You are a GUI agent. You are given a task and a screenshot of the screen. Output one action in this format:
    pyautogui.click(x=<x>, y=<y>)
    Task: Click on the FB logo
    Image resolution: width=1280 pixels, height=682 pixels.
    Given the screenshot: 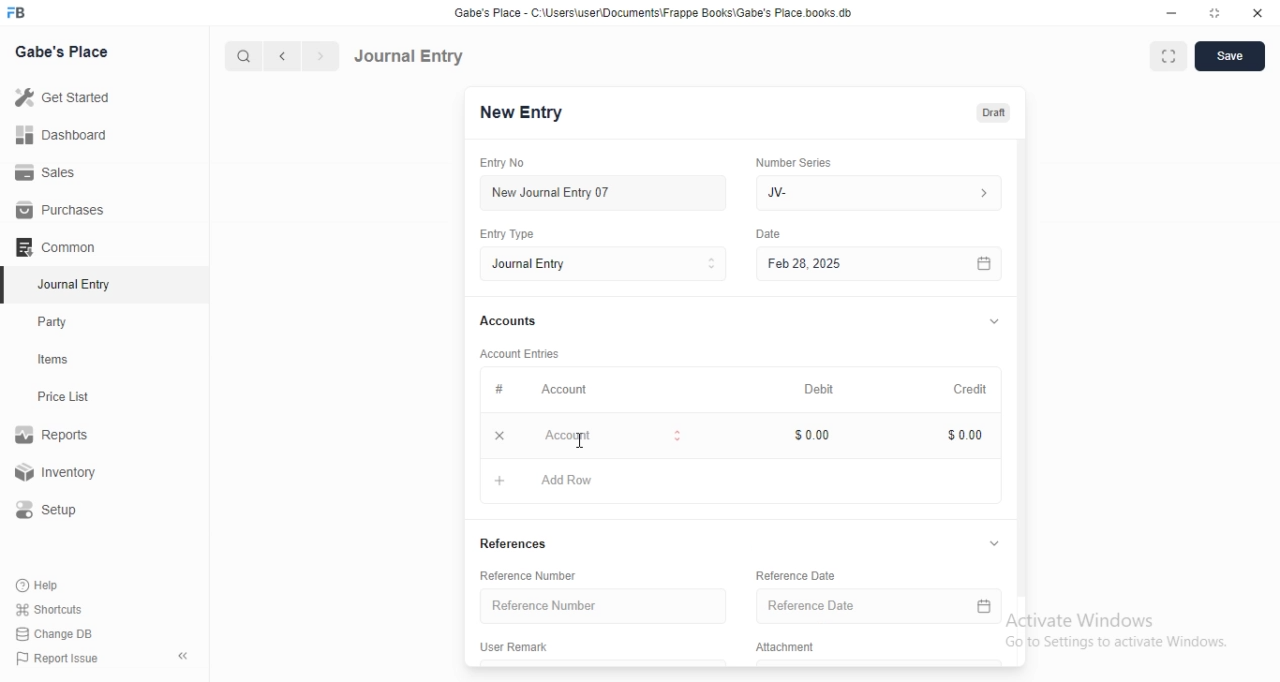 What is the action you would take?
    pyautogui.click(x=18, y=13)
    